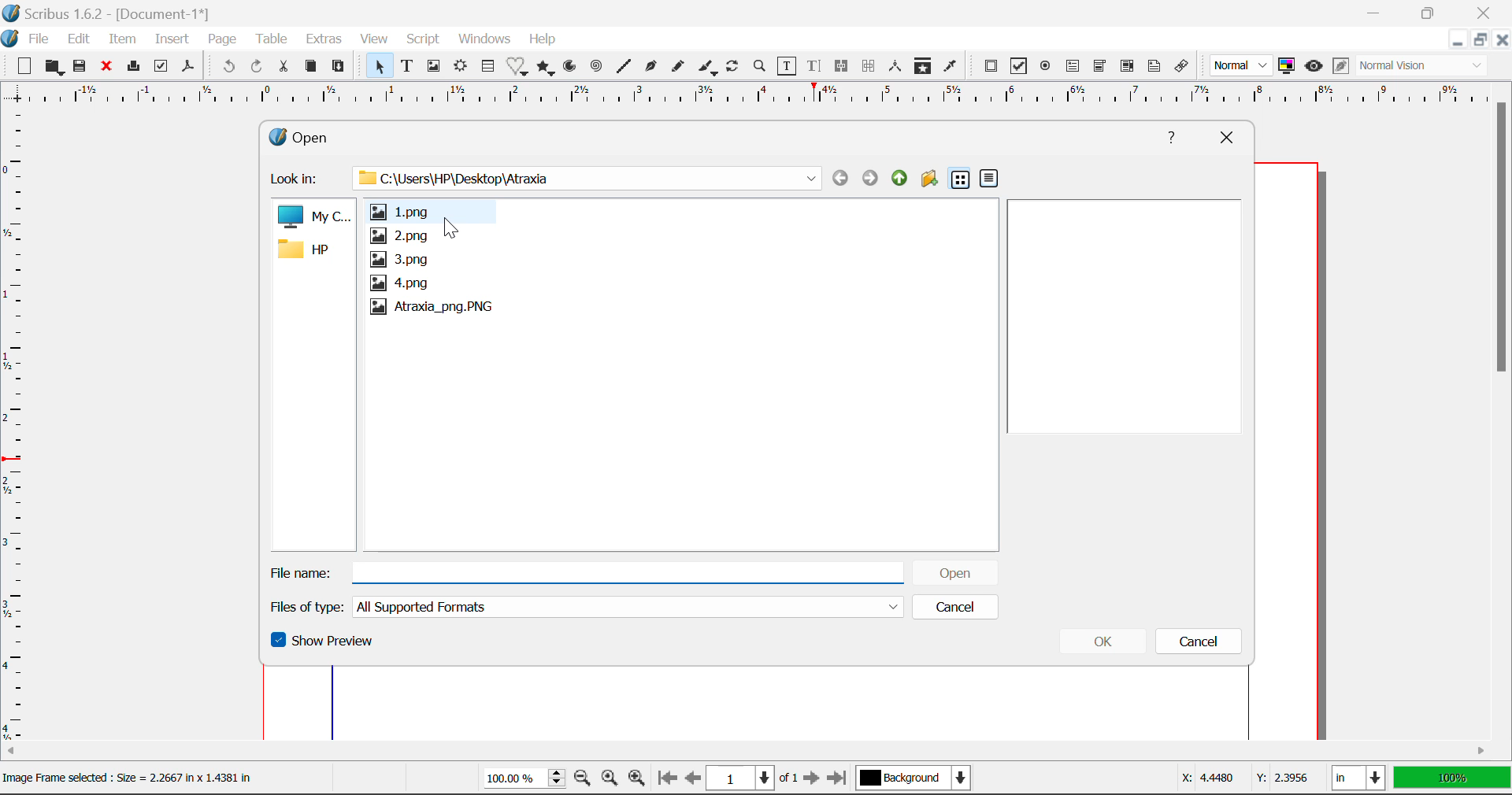 The height and width of the screenshot is (795, 1512). What do you see at coordinates (24, 68) in the screenshot?
I see `New` at bounding box center [24, 68].